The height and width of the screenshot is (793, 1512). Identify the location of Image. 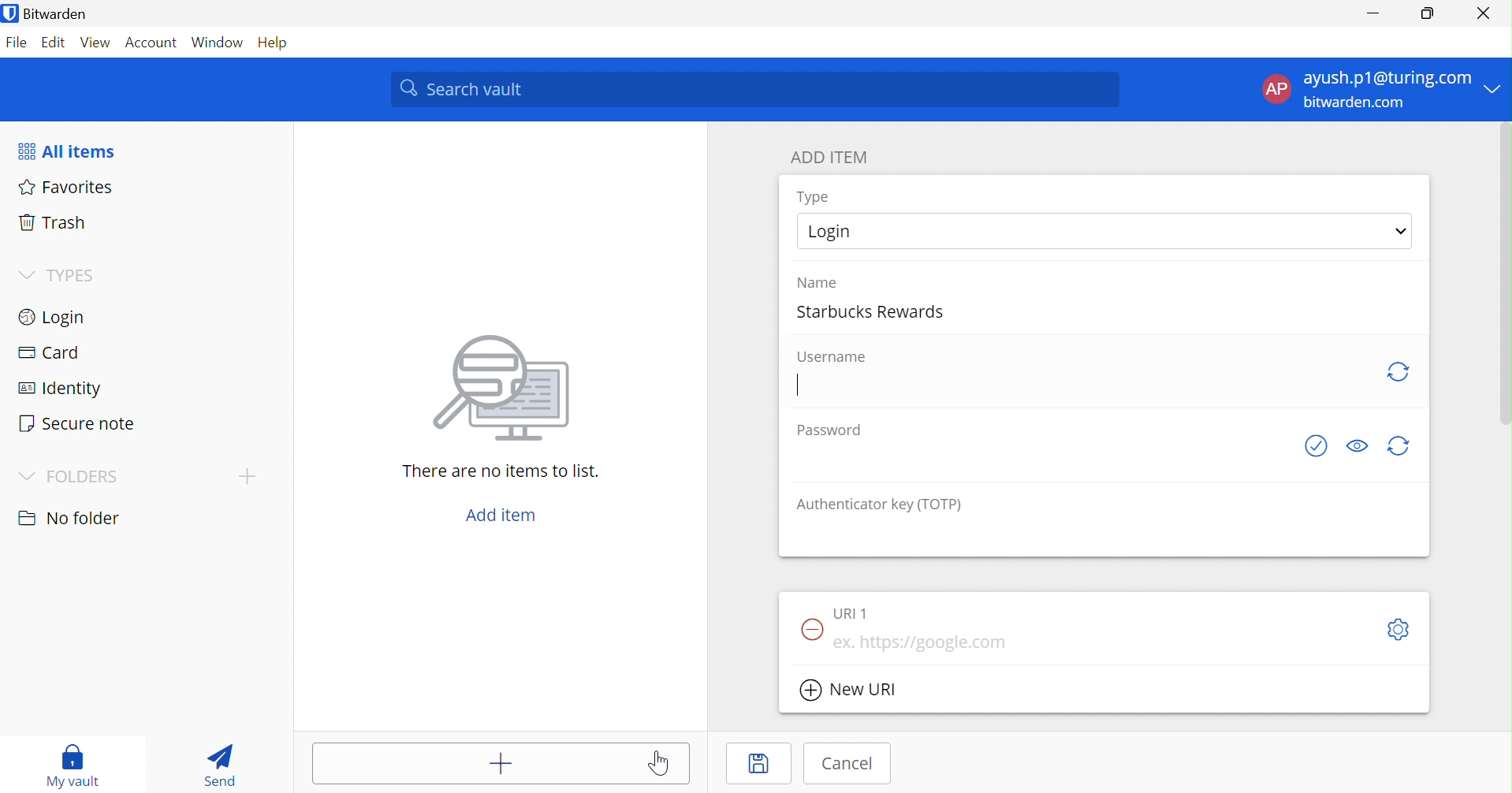
(505, 390).